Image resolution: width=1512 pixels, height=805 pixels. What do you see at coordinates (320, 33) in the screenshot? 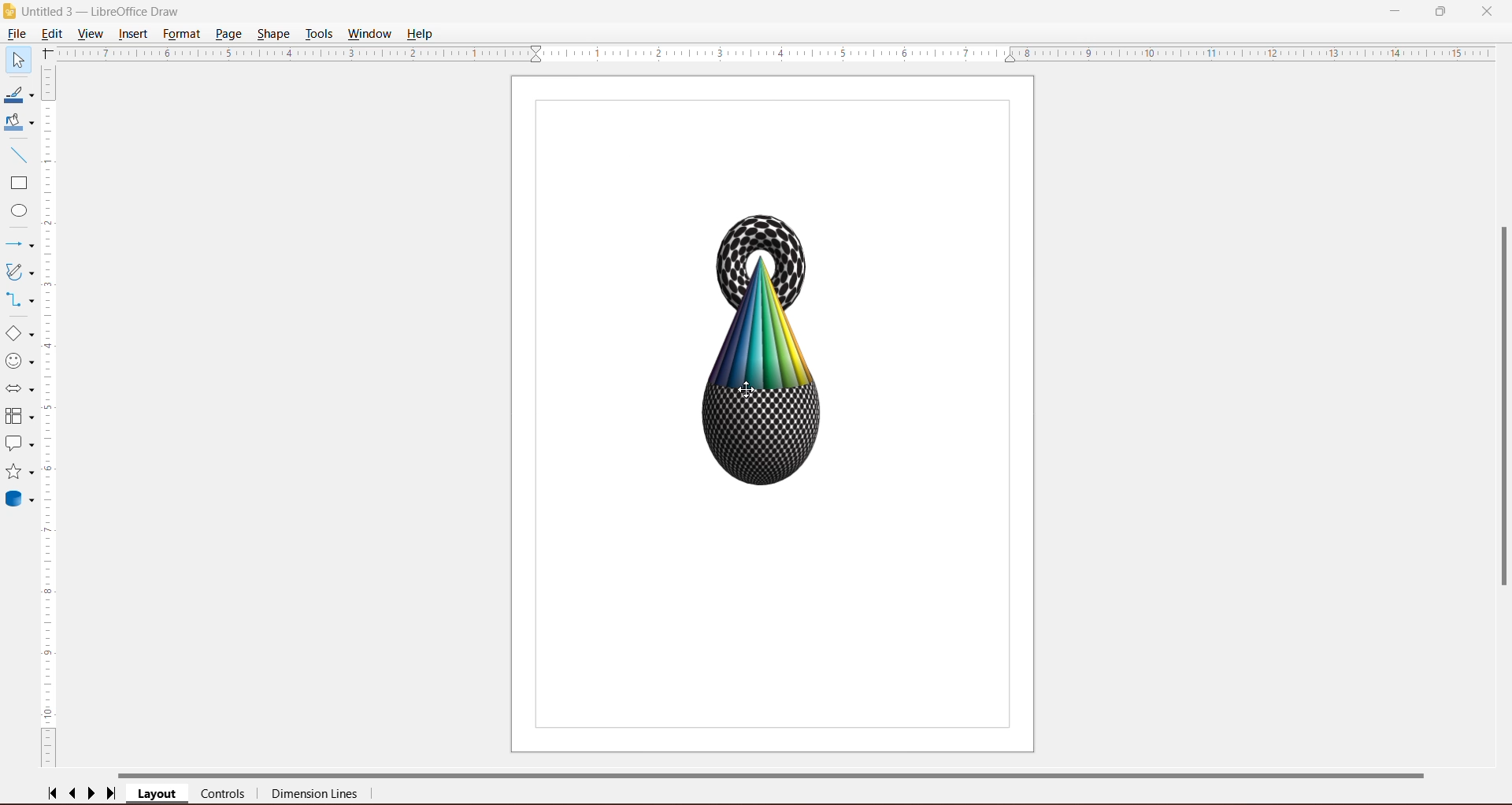
I see `Tools` at bounding box center [320, 33].